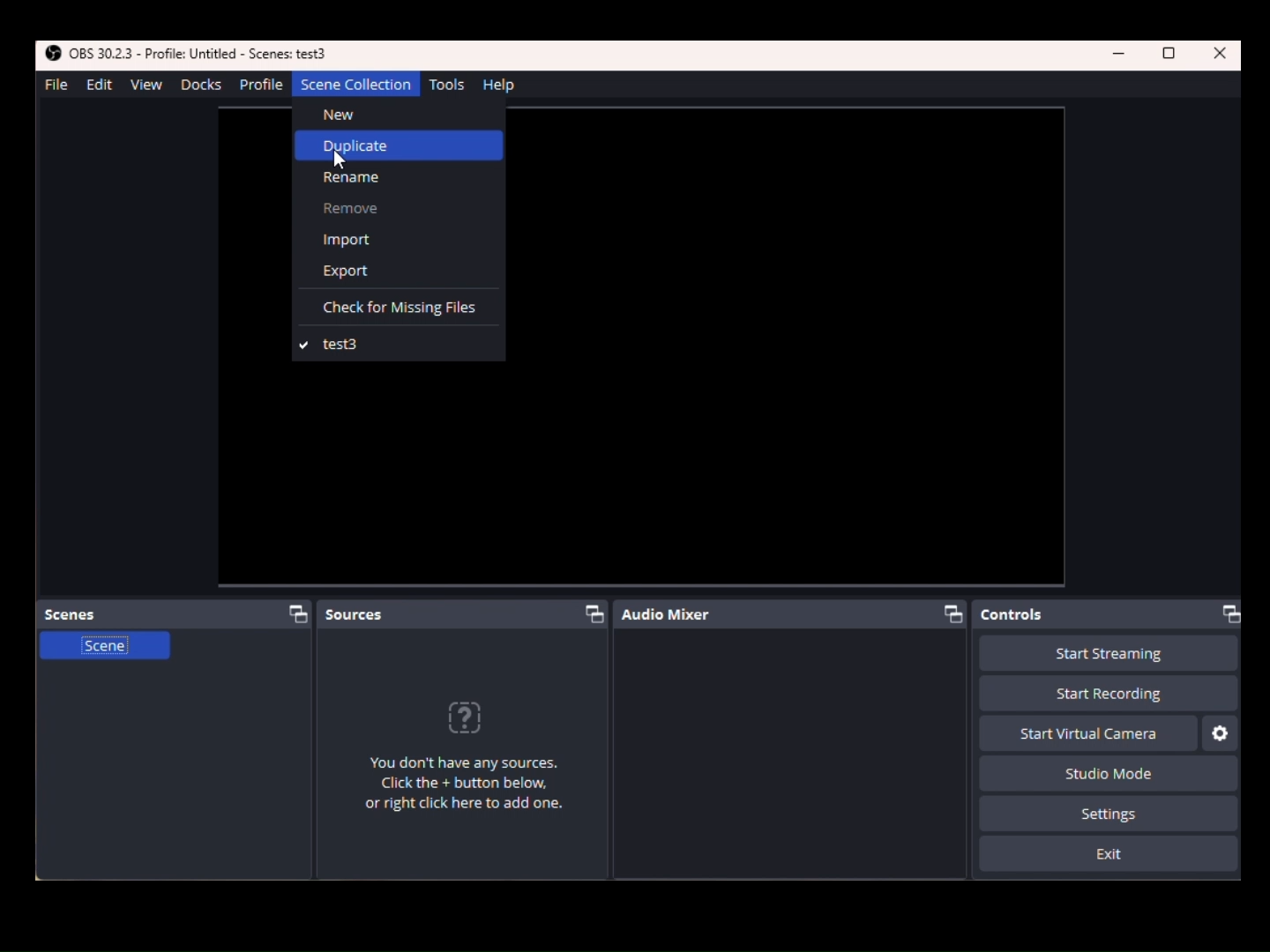 The height and width of the screenshot is (952, 1270). I want to click on File, so click(55, 84).